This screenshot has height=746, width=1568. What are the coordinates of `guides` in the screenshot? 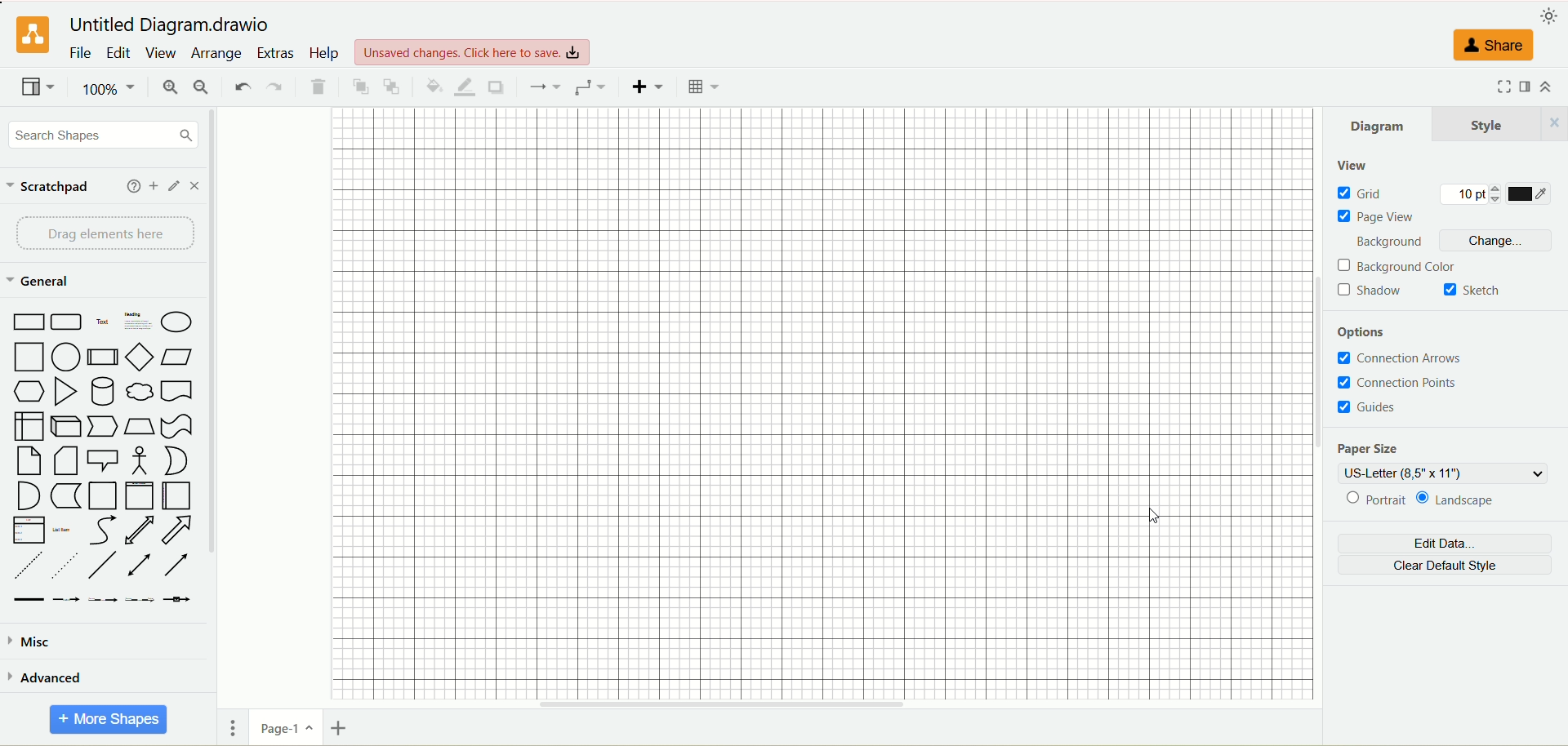 It's located at (1374, 409).